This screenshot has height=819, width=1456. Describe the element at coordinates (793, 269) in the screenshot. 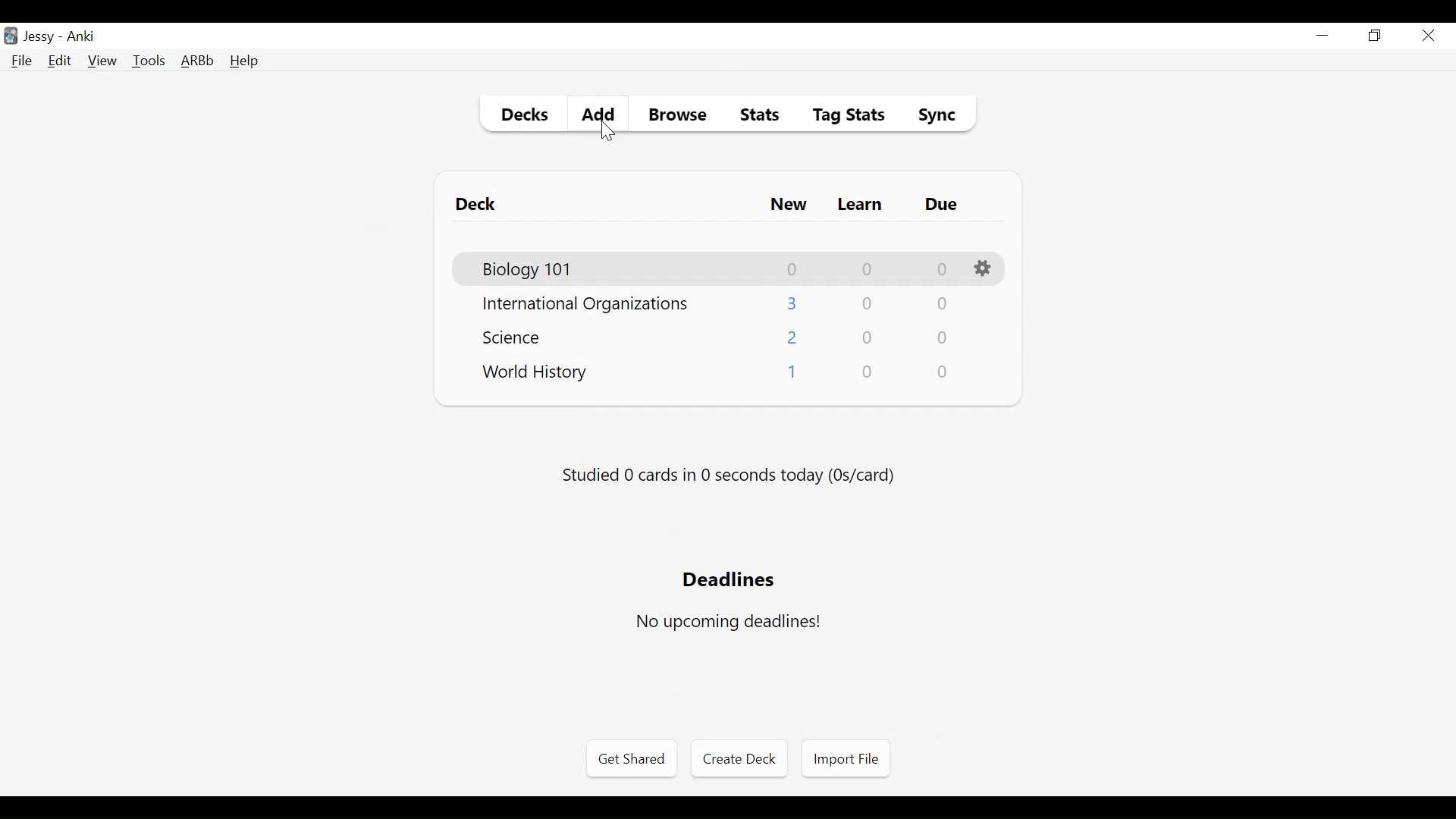

I see `New Card Count` at that location.